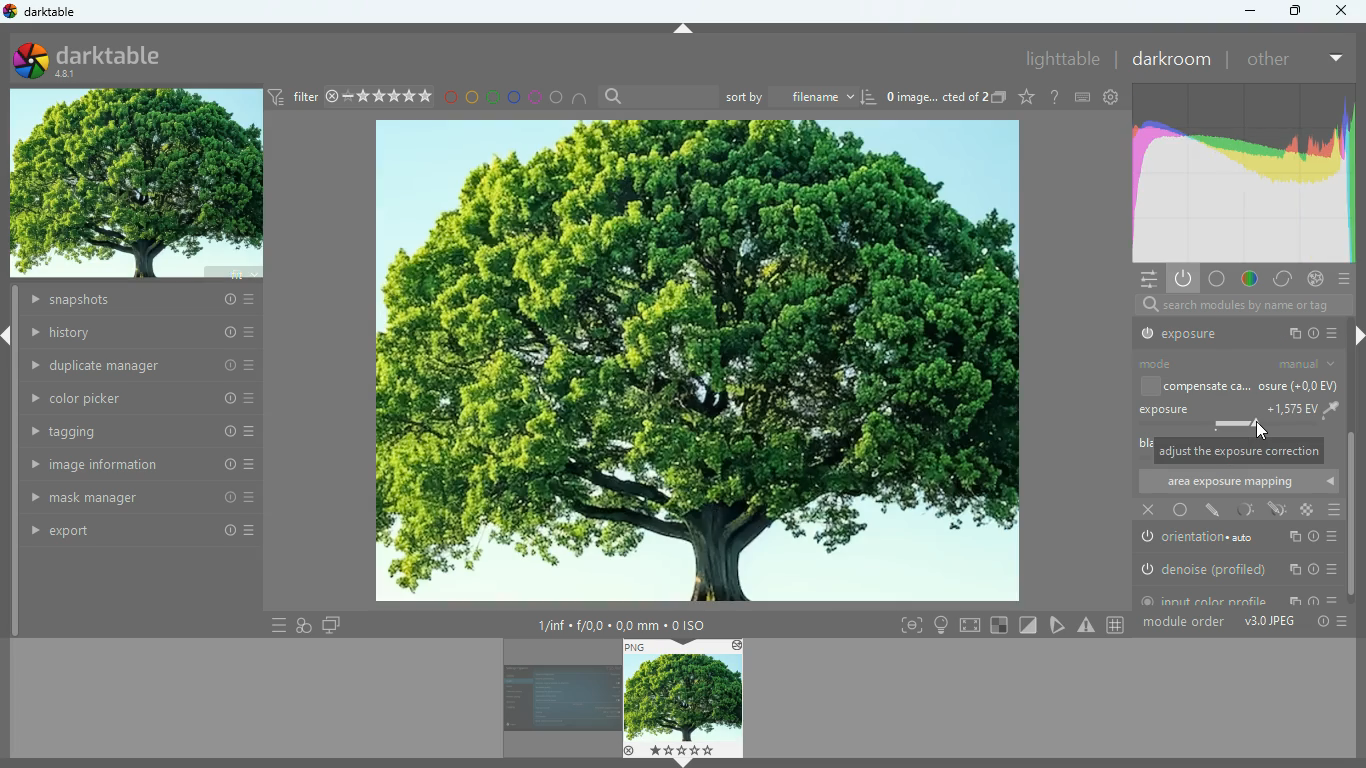 This screenshot has width=1366, height=768. I want to click on edit, so click(1275, 507).